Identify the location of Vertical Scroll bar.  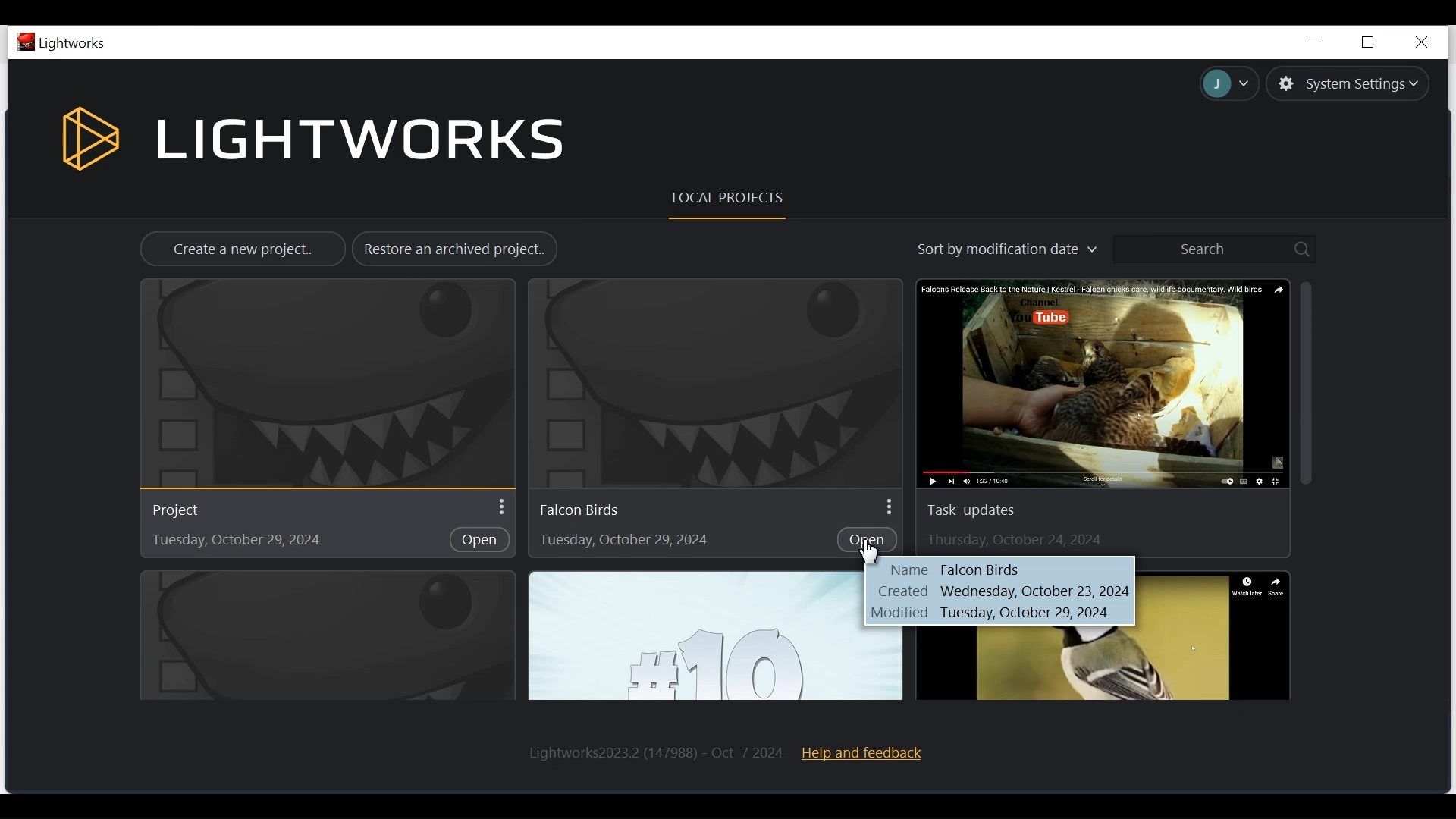
(1307, 386).